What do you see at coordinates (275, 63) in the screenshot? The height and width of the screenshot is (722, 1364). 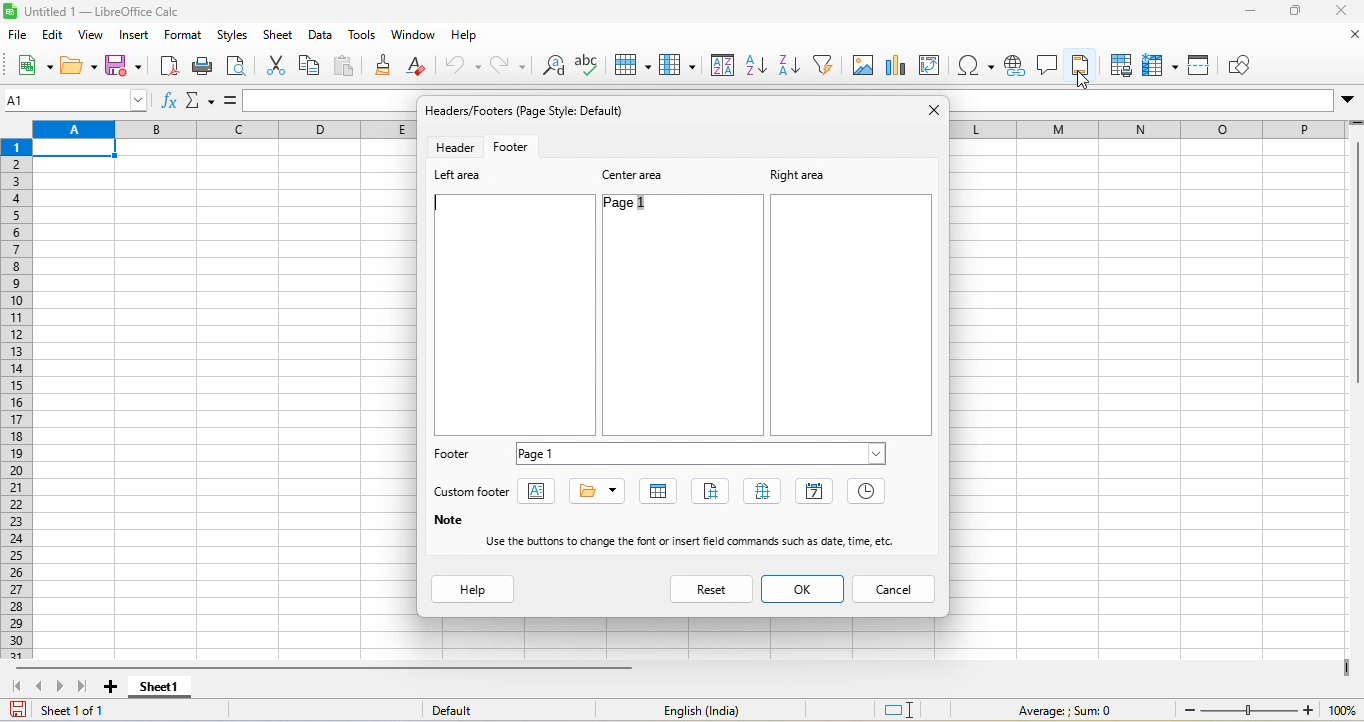 I see `cut` at bounding box center [275, 63].